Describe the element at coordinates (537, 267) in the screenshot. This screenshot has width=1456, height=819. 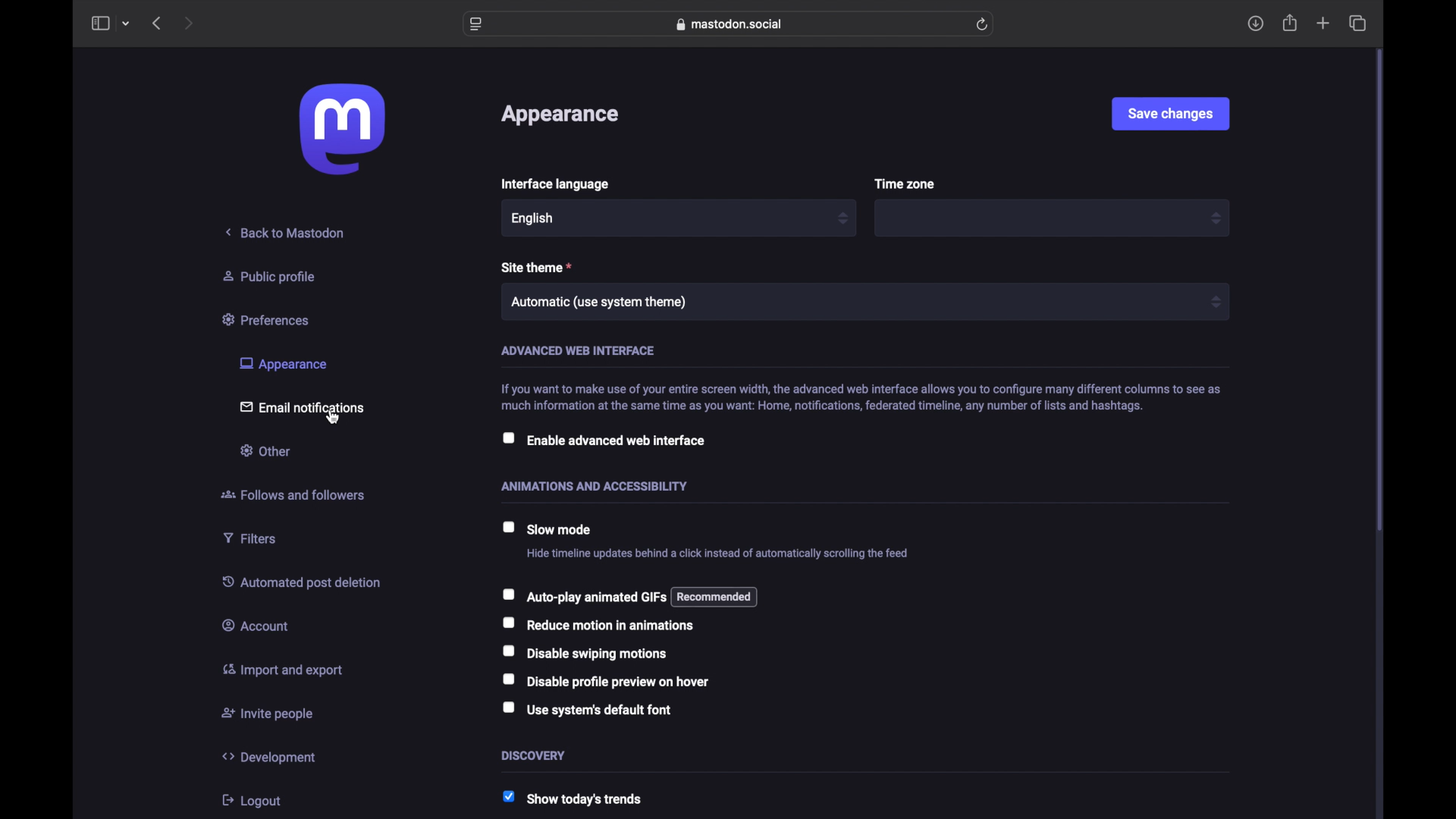
I see `site theme` at that location.